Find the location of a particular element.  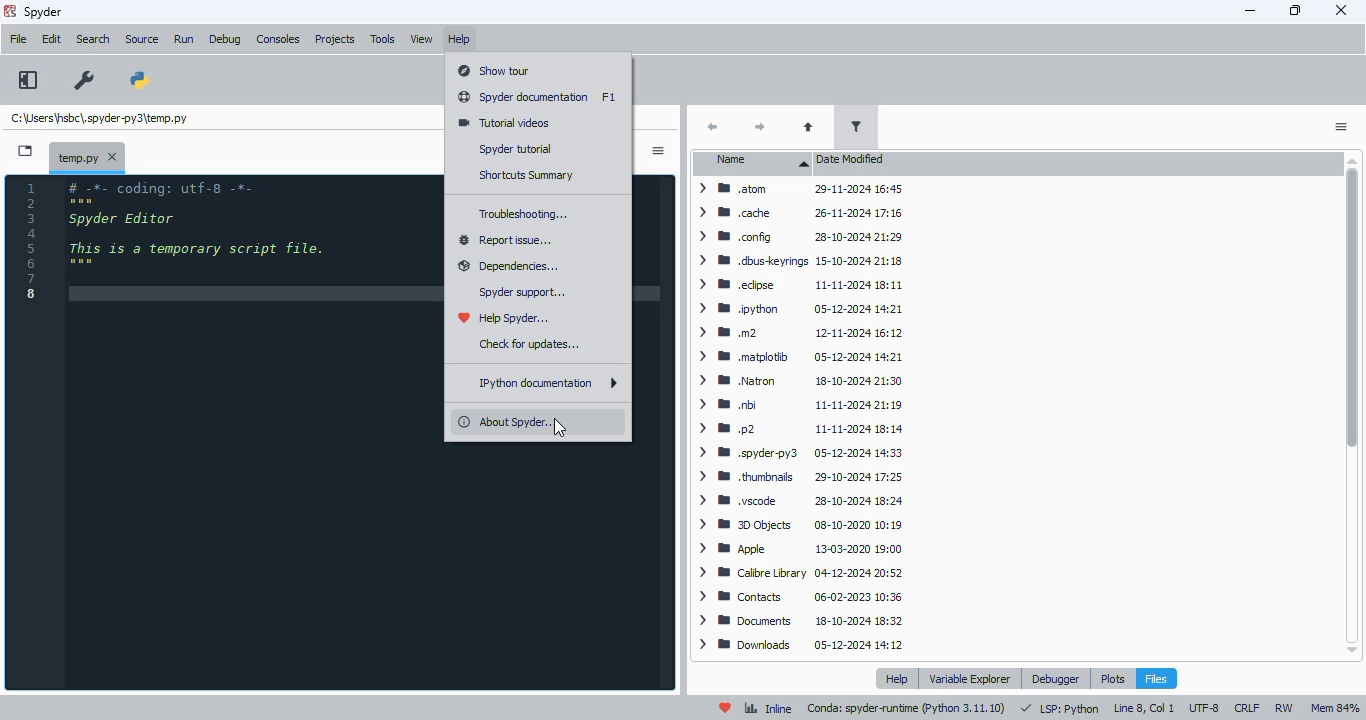

troubleshooting is located at coordinates (525, 214).